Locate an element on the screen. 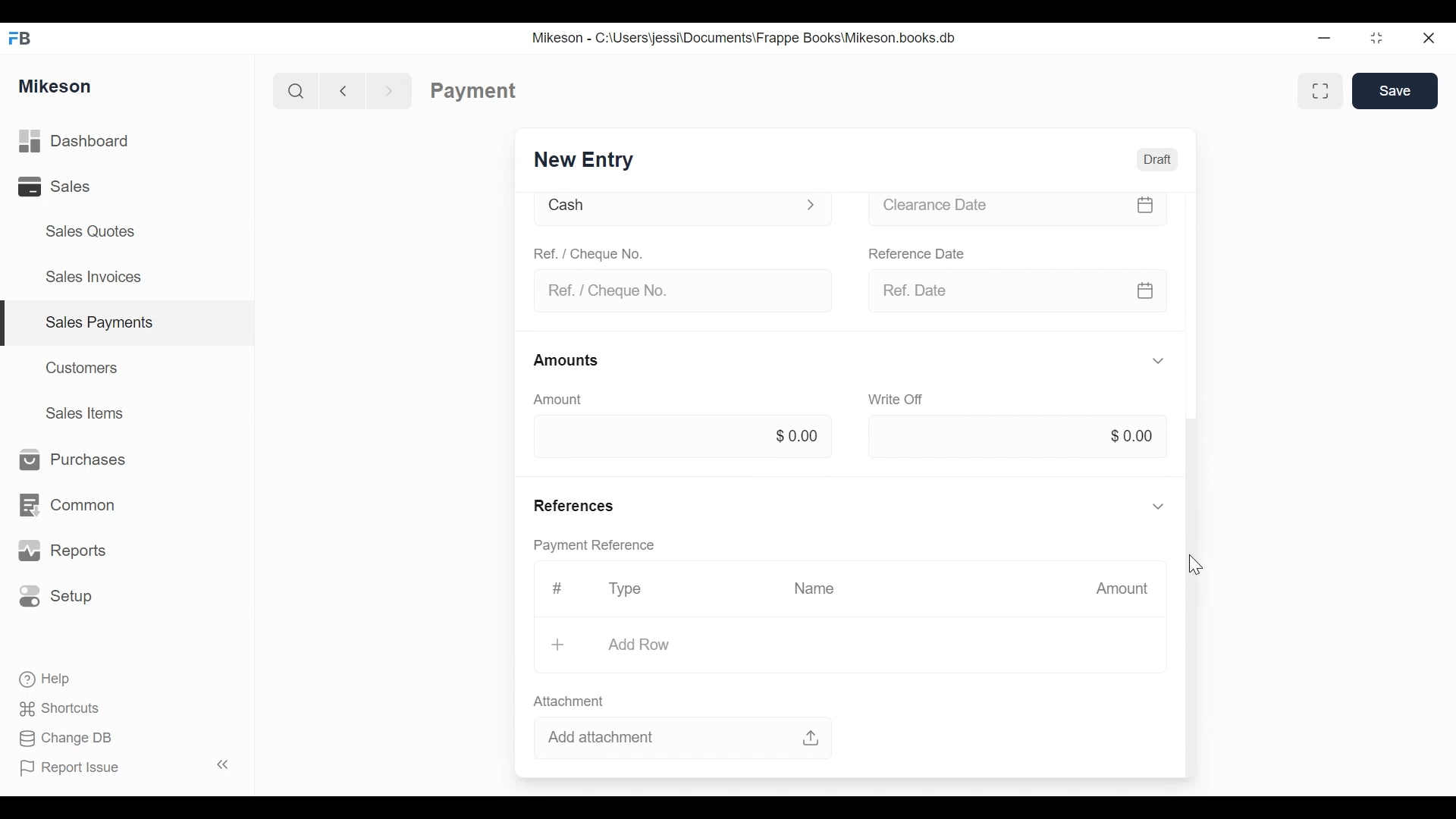 Image resolution: width=1456 pixels, height=819 pixels. FB is located at coordinates (24, 36).